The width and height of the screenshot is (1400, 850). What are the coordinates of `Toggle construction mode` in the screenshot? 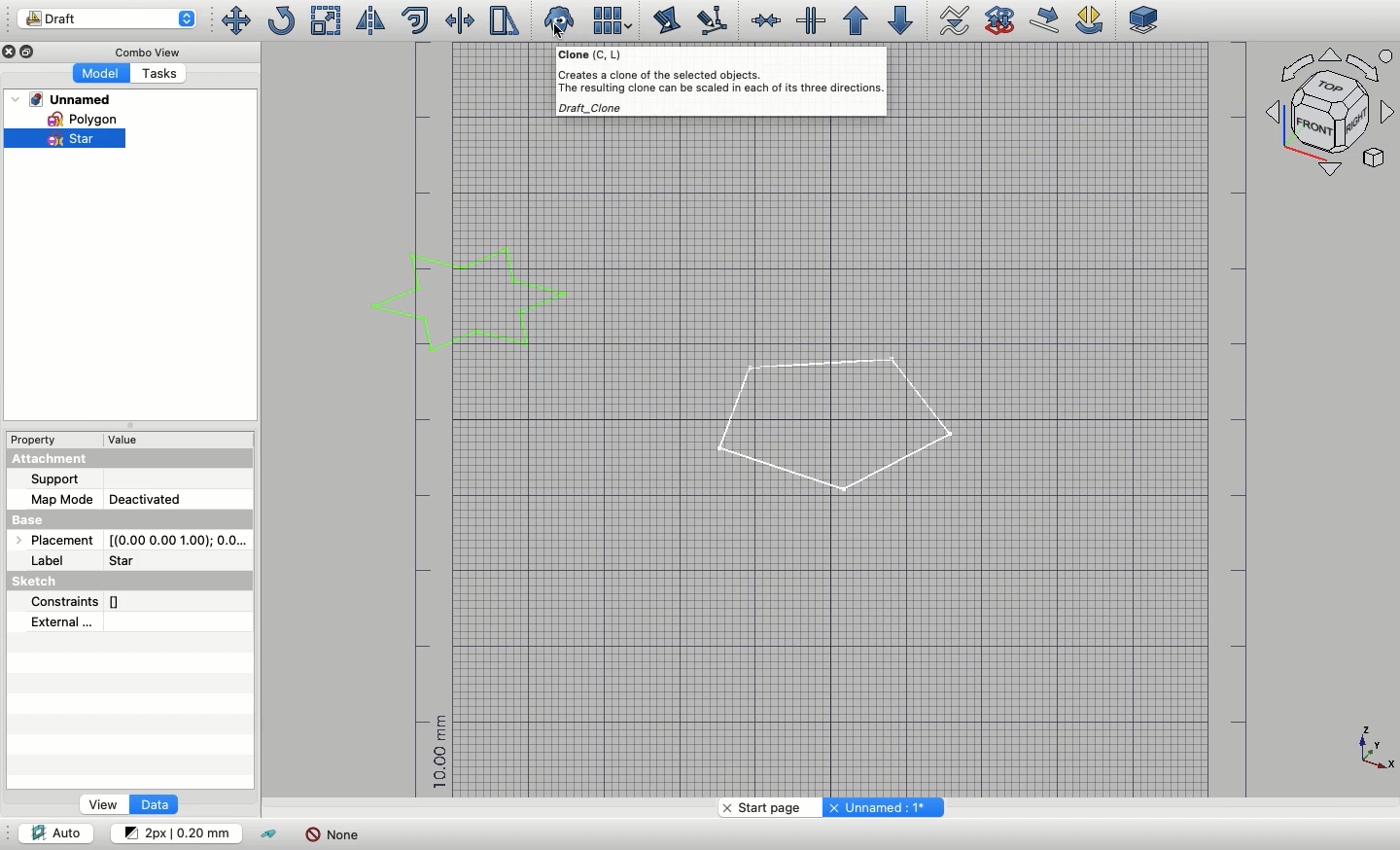 It's located at (270, 835).